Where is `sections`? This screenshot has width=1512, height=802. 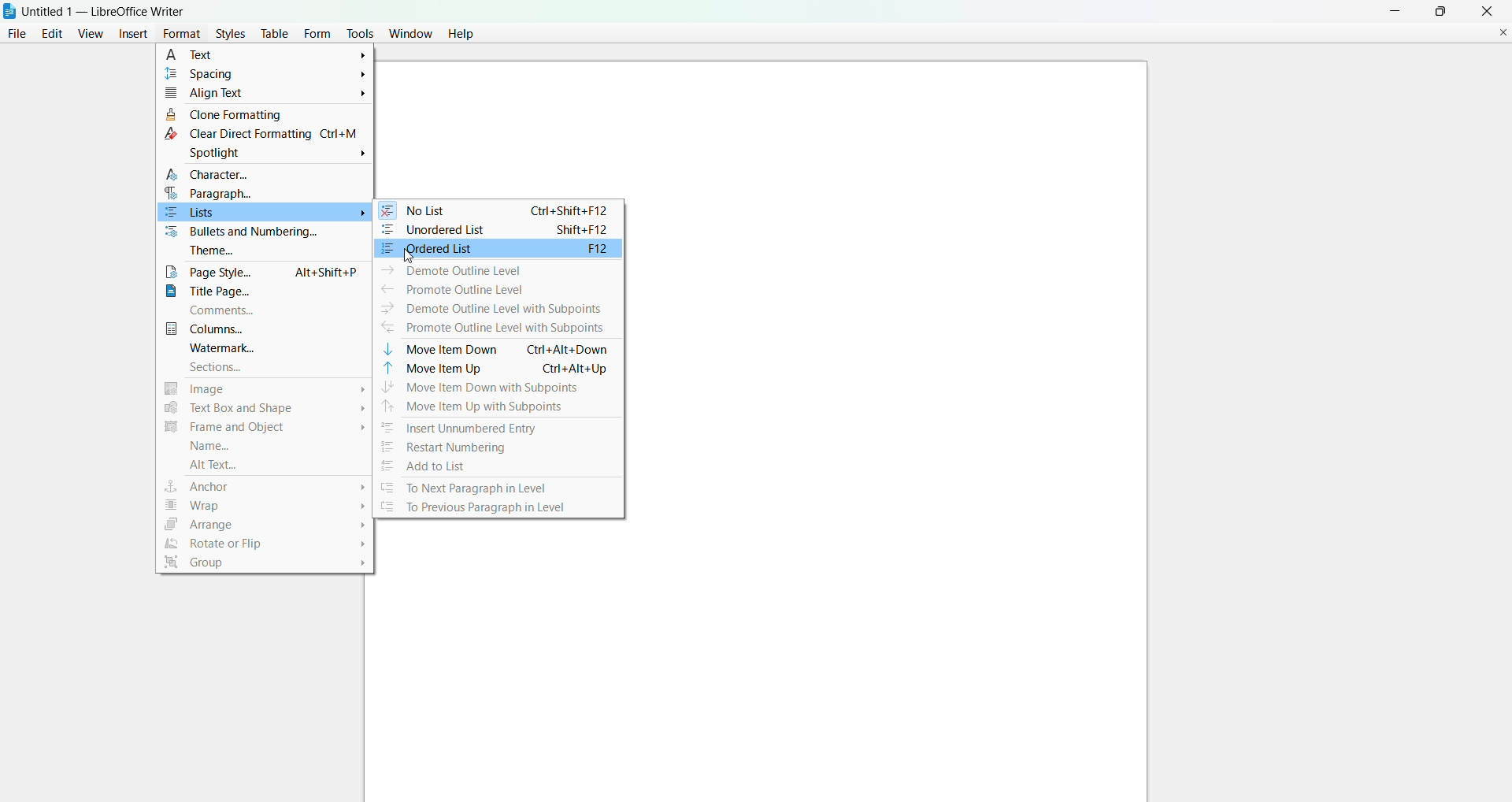
sections is located at coordinates (211, 368).